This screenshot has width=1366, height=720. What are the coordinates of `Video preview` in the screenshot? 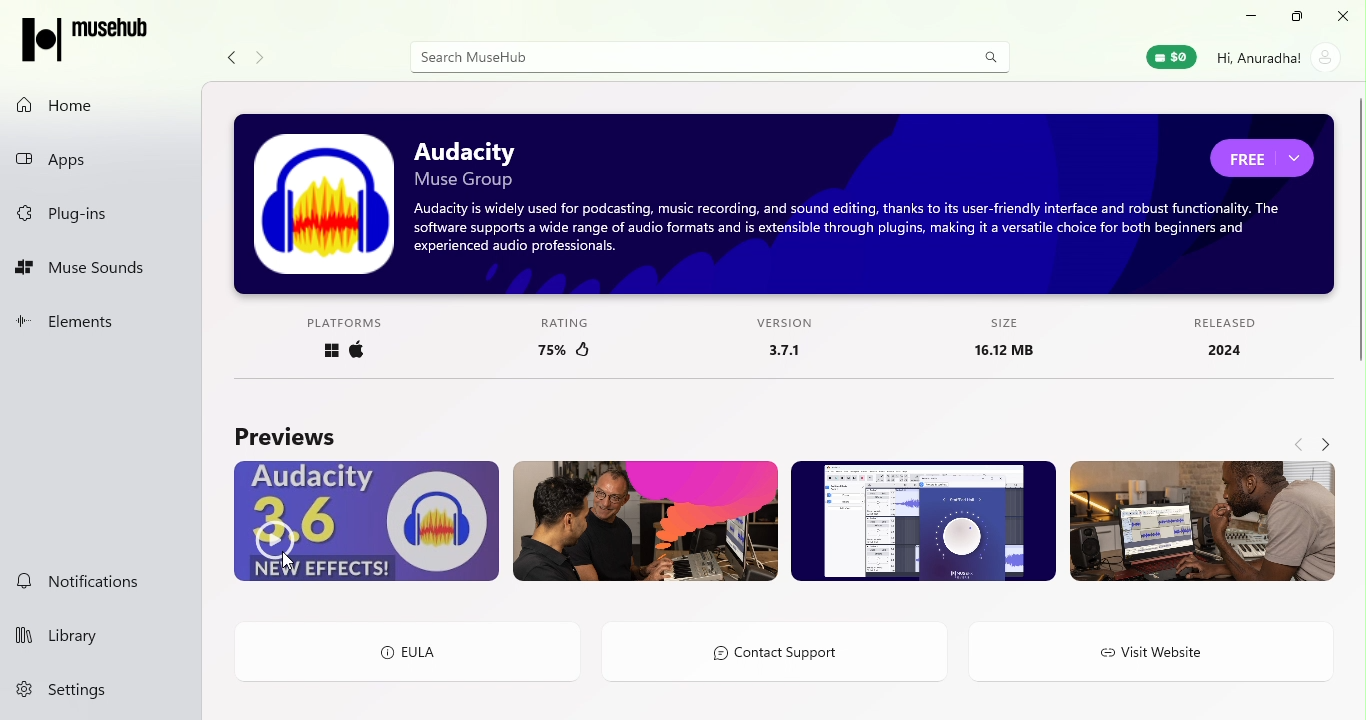 It's located at (367, 521).